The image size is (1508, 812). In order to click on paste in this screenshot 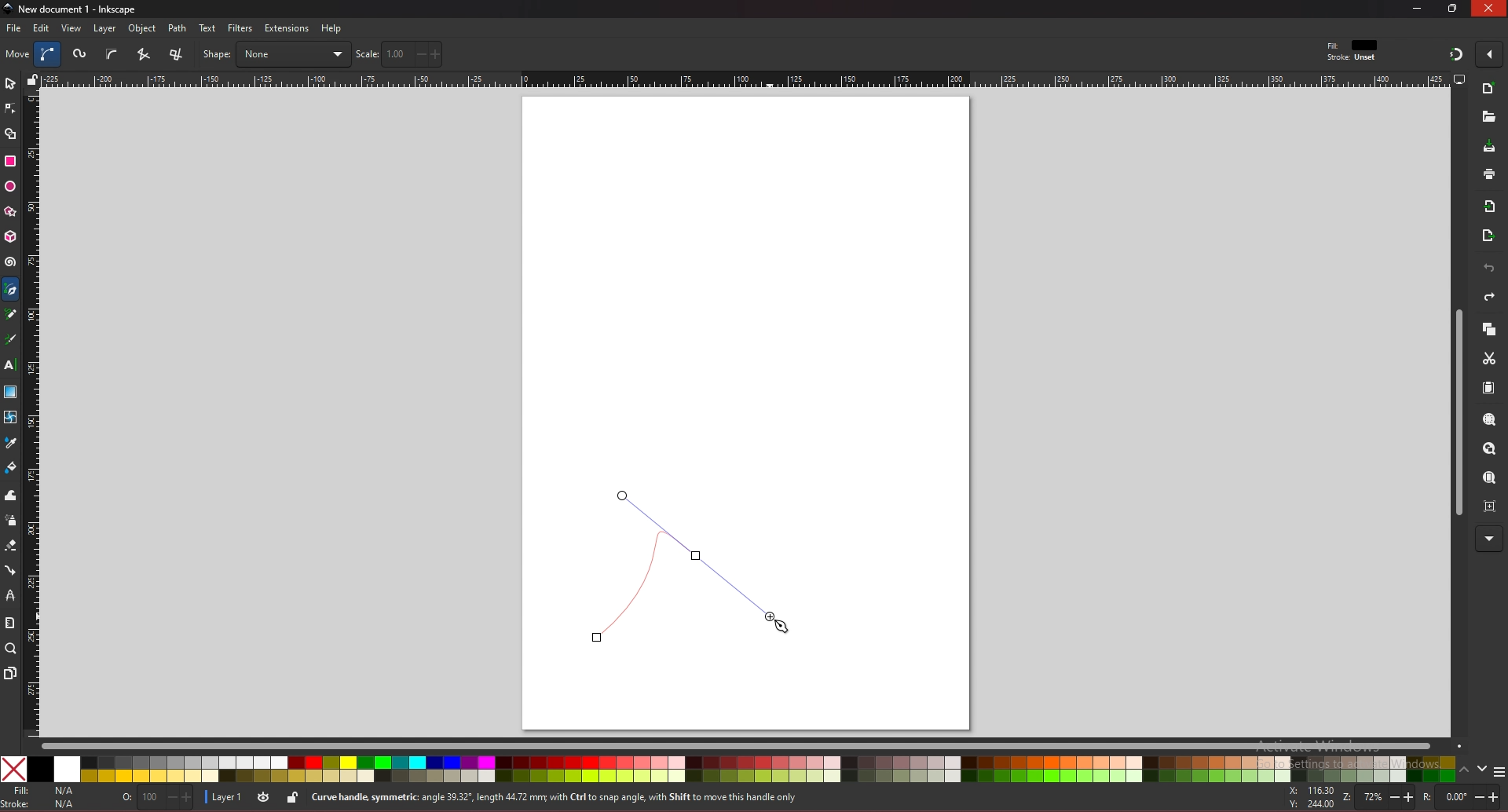, I will do `click(1488, 389)`.